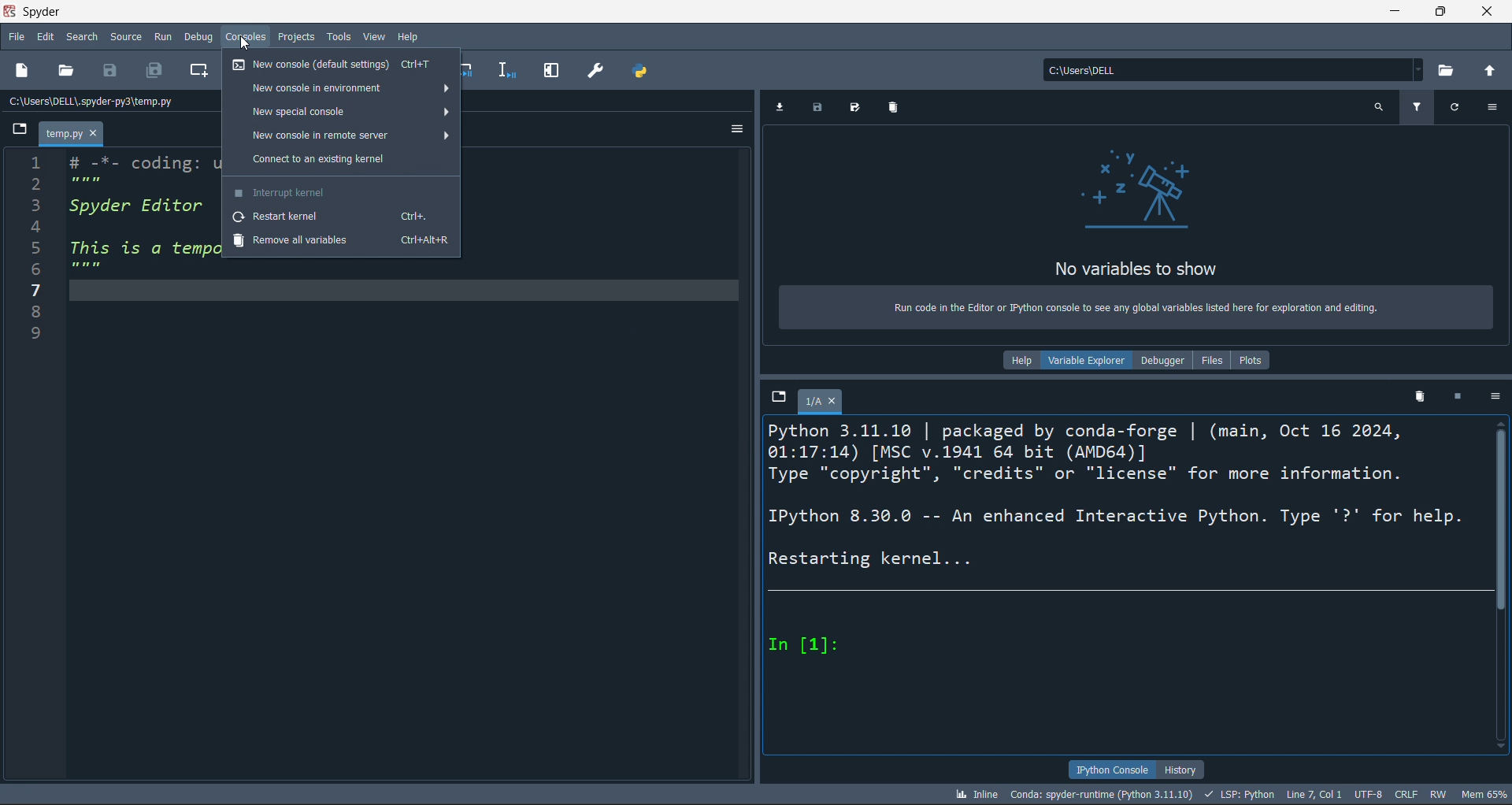 The height and width of the screenshot is (805, 1512). Describe the element at coordinates (821, 401) in the screenshot. I see `1/A` at that location.